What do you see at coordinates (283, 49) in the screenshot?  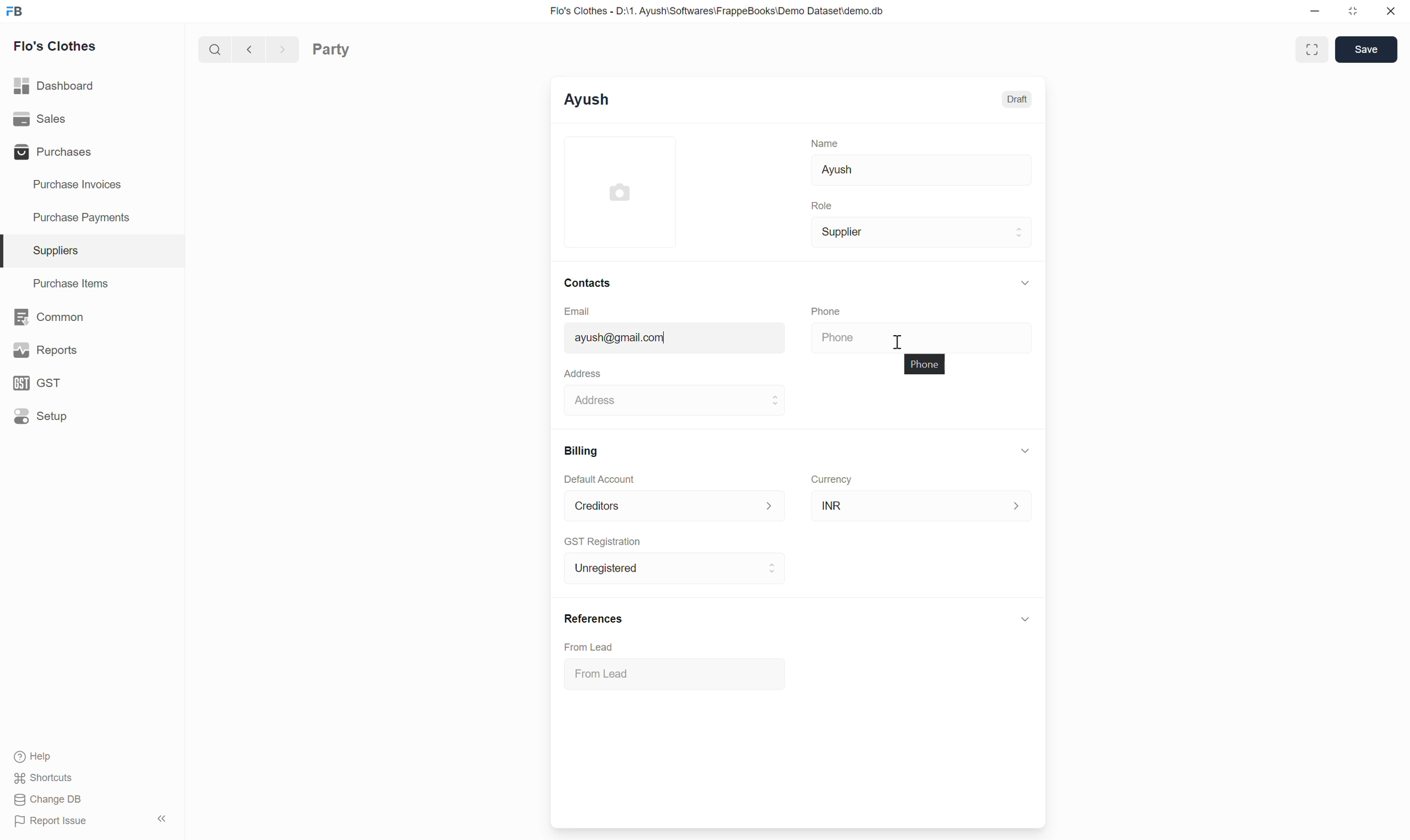 I see `Next` at bounding box center [283, 49].